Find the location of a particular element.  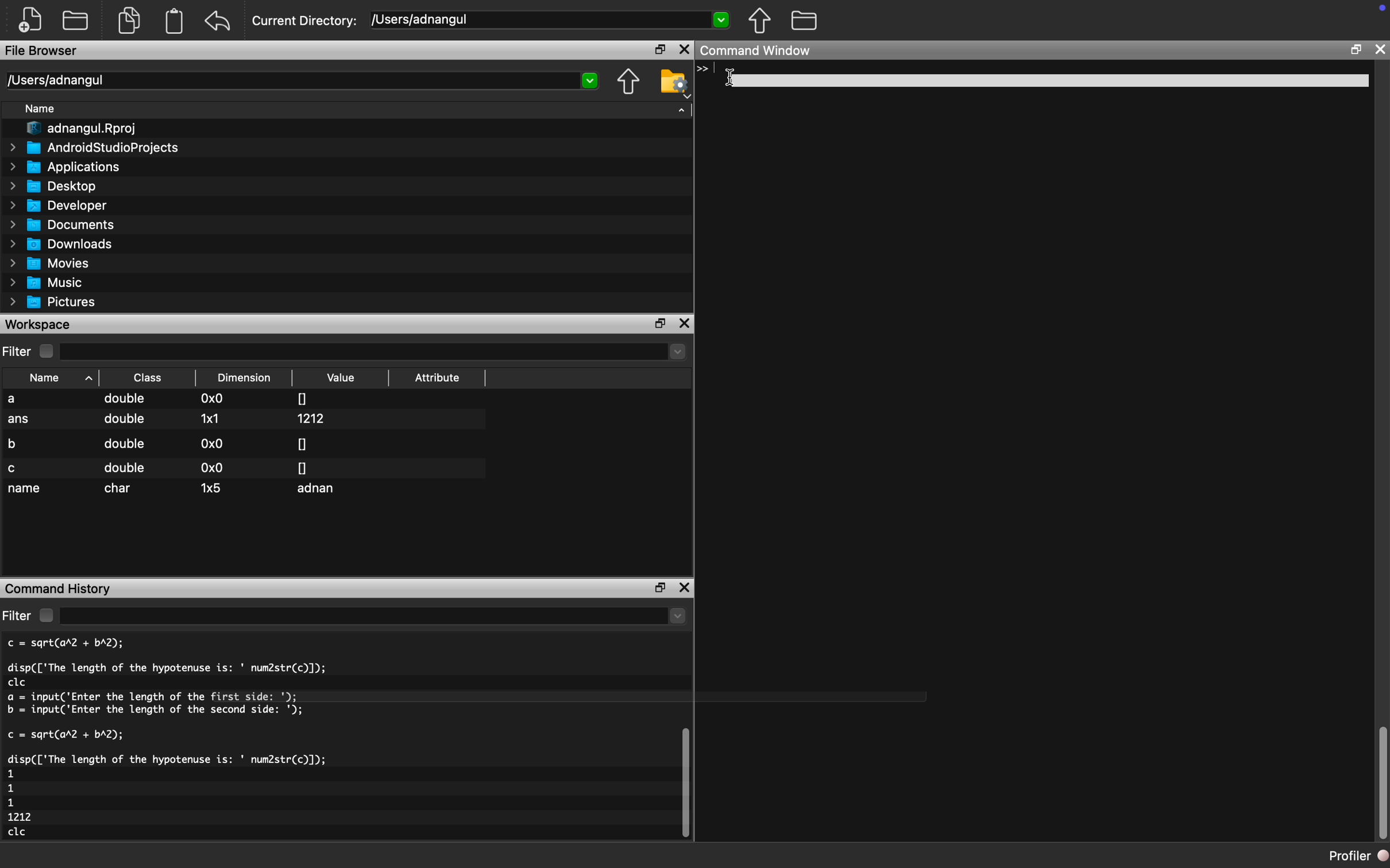

double is located at coordinates (123, 423).